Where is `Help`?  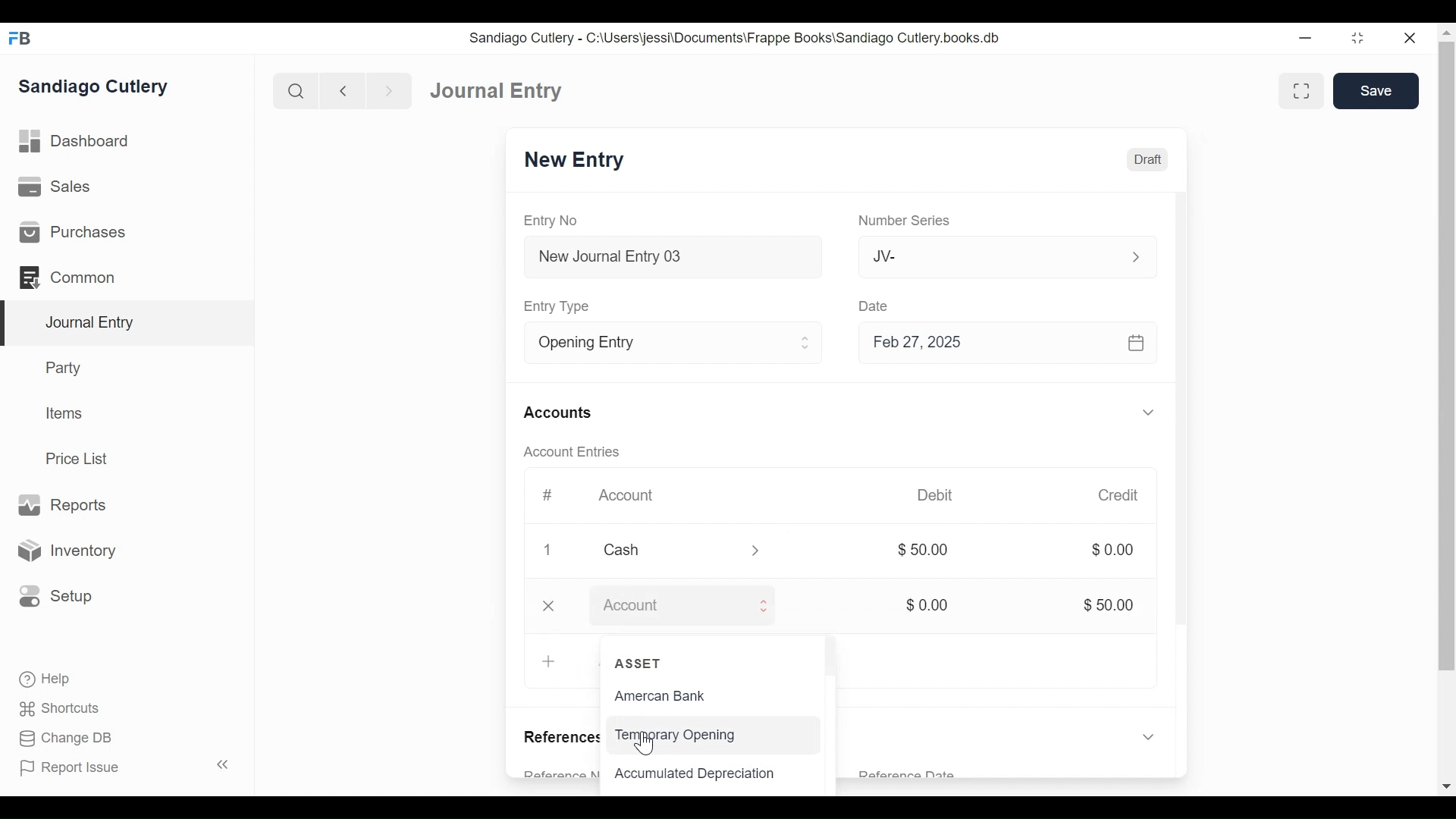 Help is located at coordinates (46, 679).